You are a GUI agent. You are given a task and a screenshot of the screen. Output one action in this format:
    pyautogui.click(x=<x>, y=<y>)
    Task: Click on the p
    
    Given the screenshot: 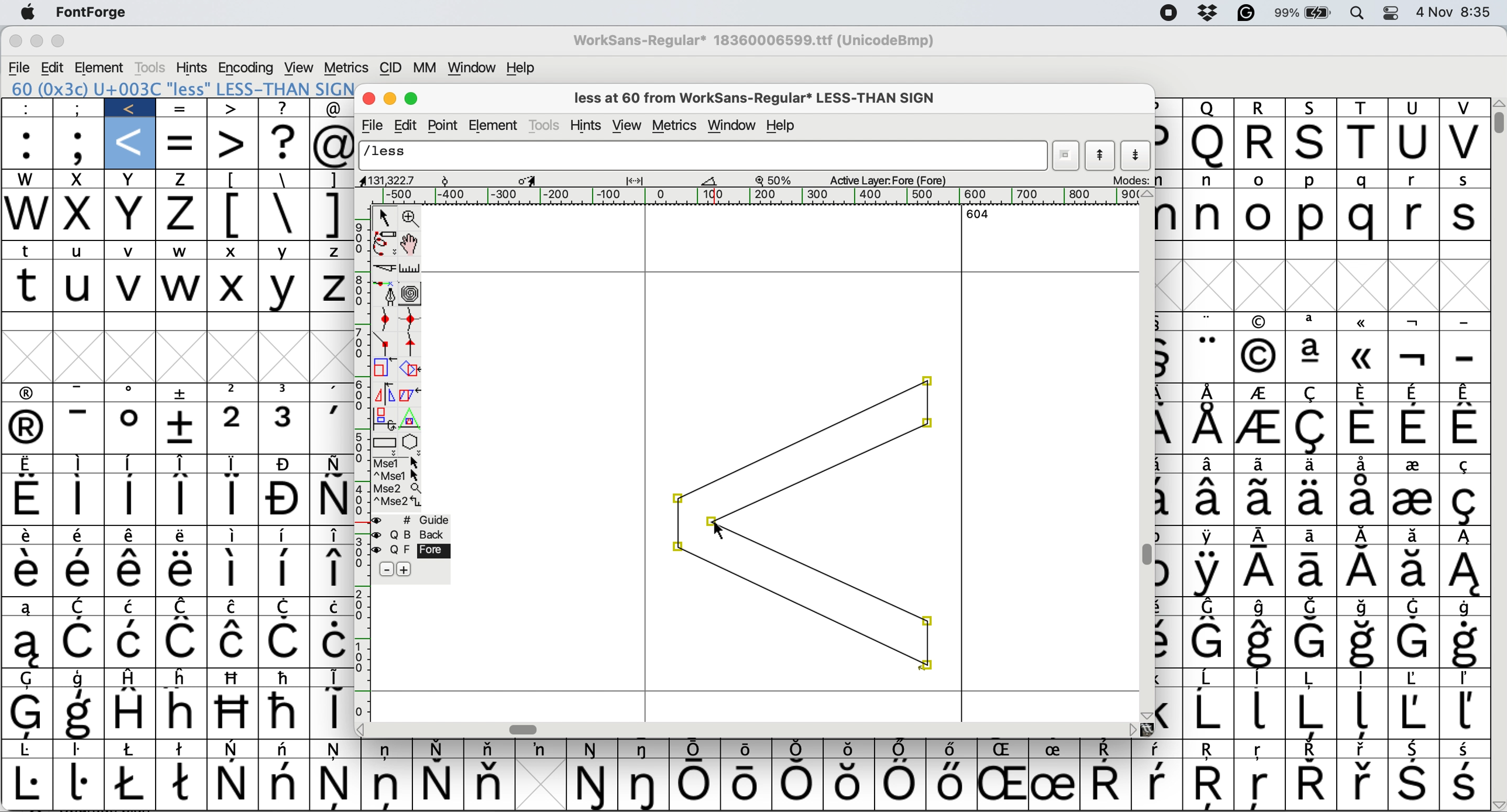 What is the action you would take?
    pyautogui.click(x=1310, y=181)
    